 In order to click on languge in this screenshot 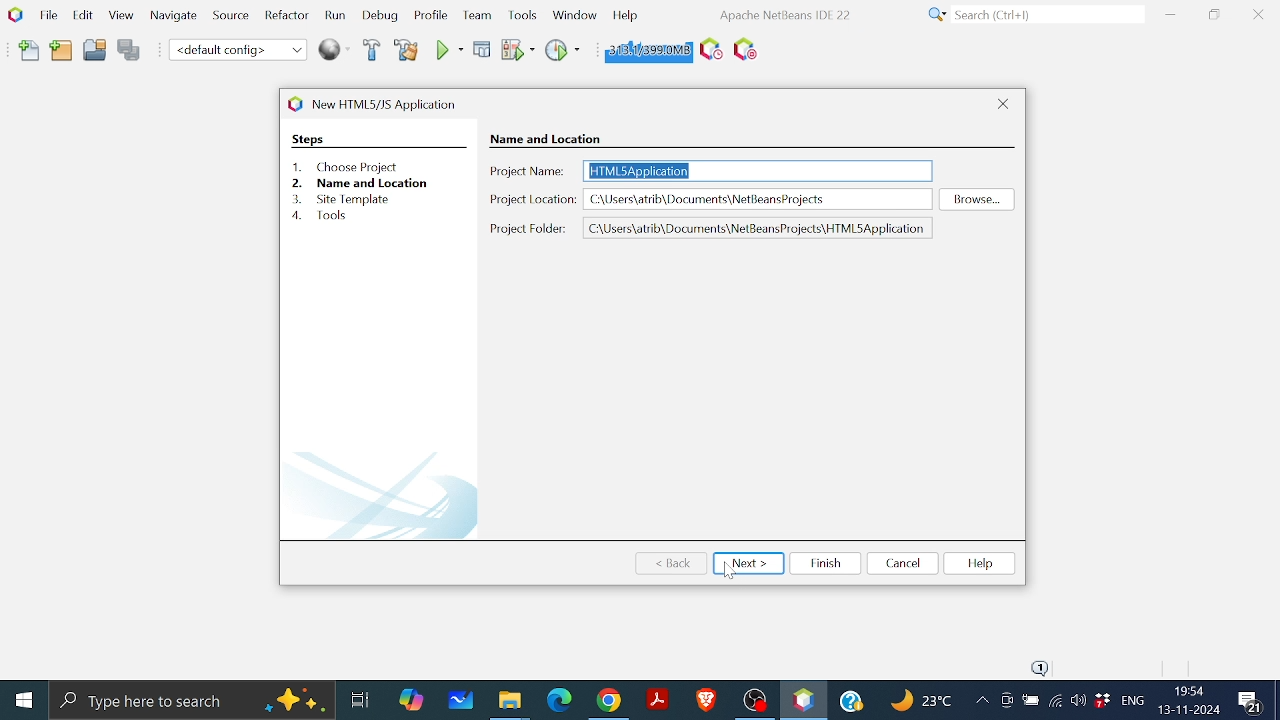, I will do `click(1133, 702)`.